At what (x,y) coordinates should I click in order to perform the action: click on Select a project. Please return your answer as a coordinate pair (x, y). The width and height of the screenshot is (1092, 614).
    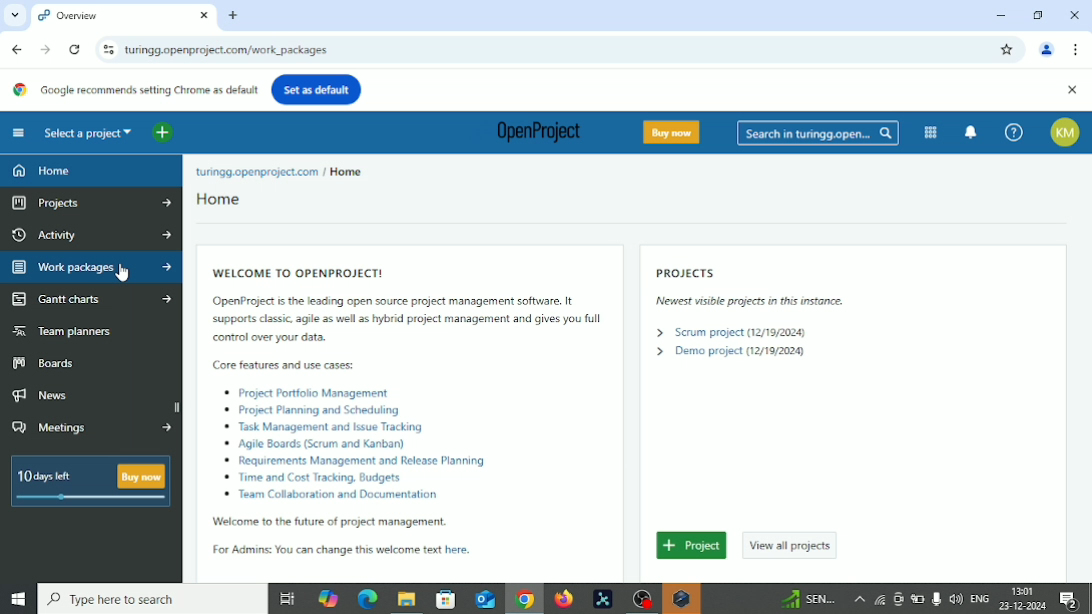
    Looking at the image, I should click on (89, 132).